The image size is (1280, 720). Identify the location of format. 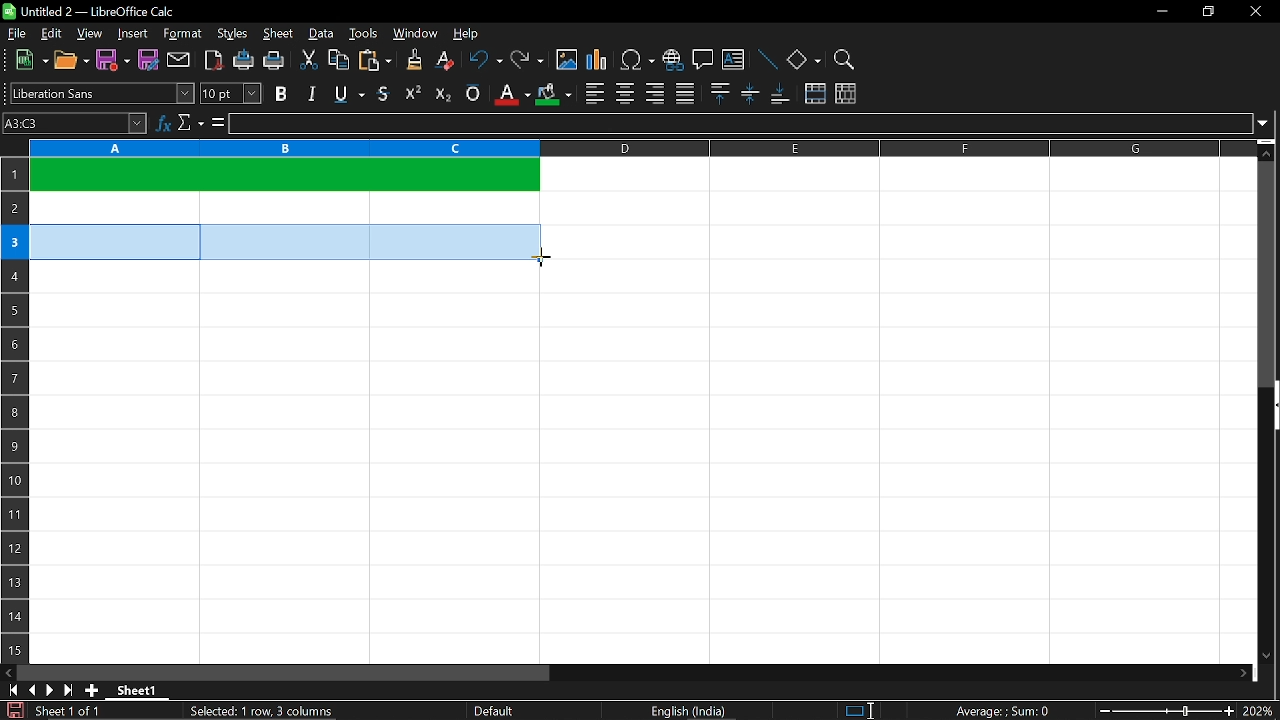
(183, 34).